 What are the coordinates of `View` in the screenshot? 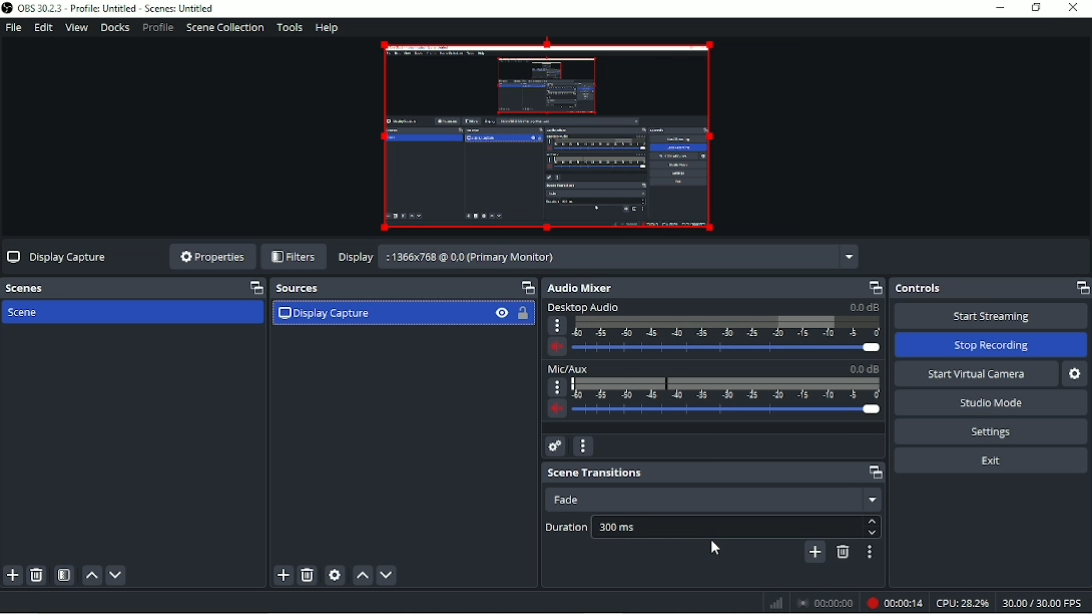 It's located at (75, 28).